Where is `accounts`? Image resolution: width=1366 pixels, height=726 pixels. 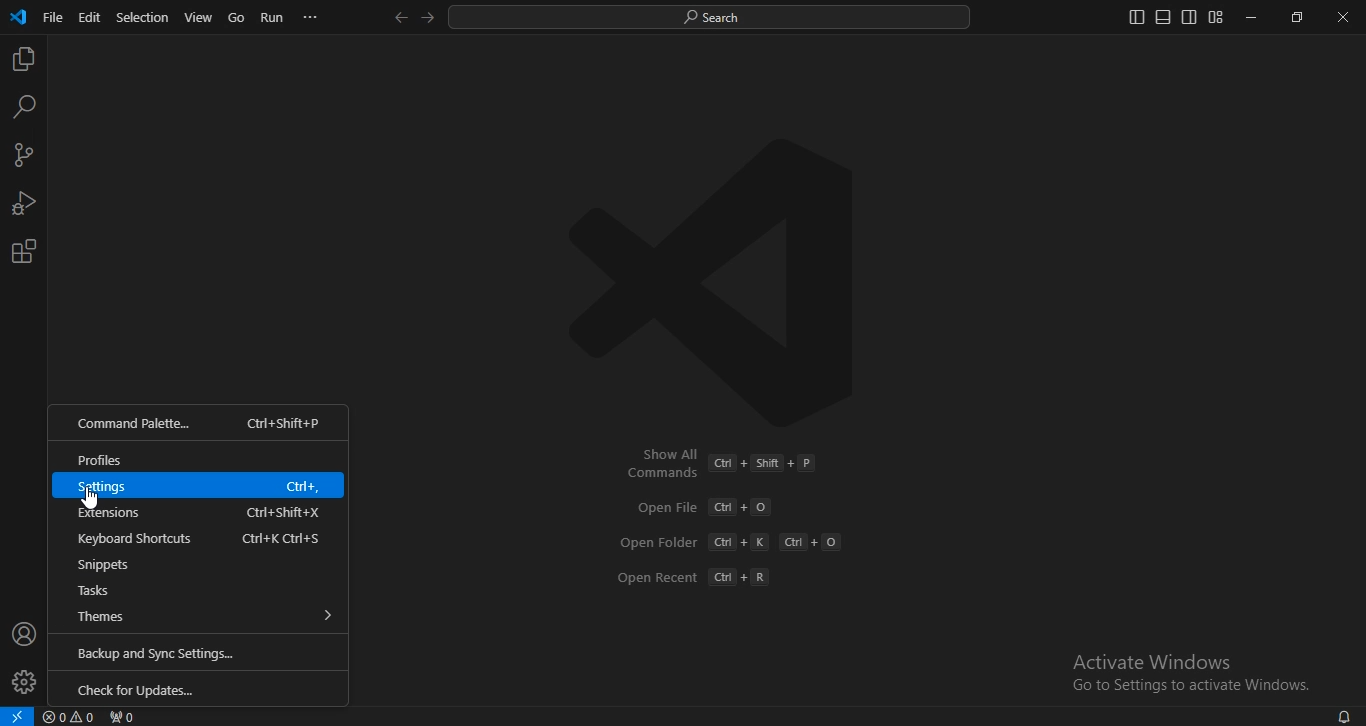
accounts is located at coordinates (25, 633).